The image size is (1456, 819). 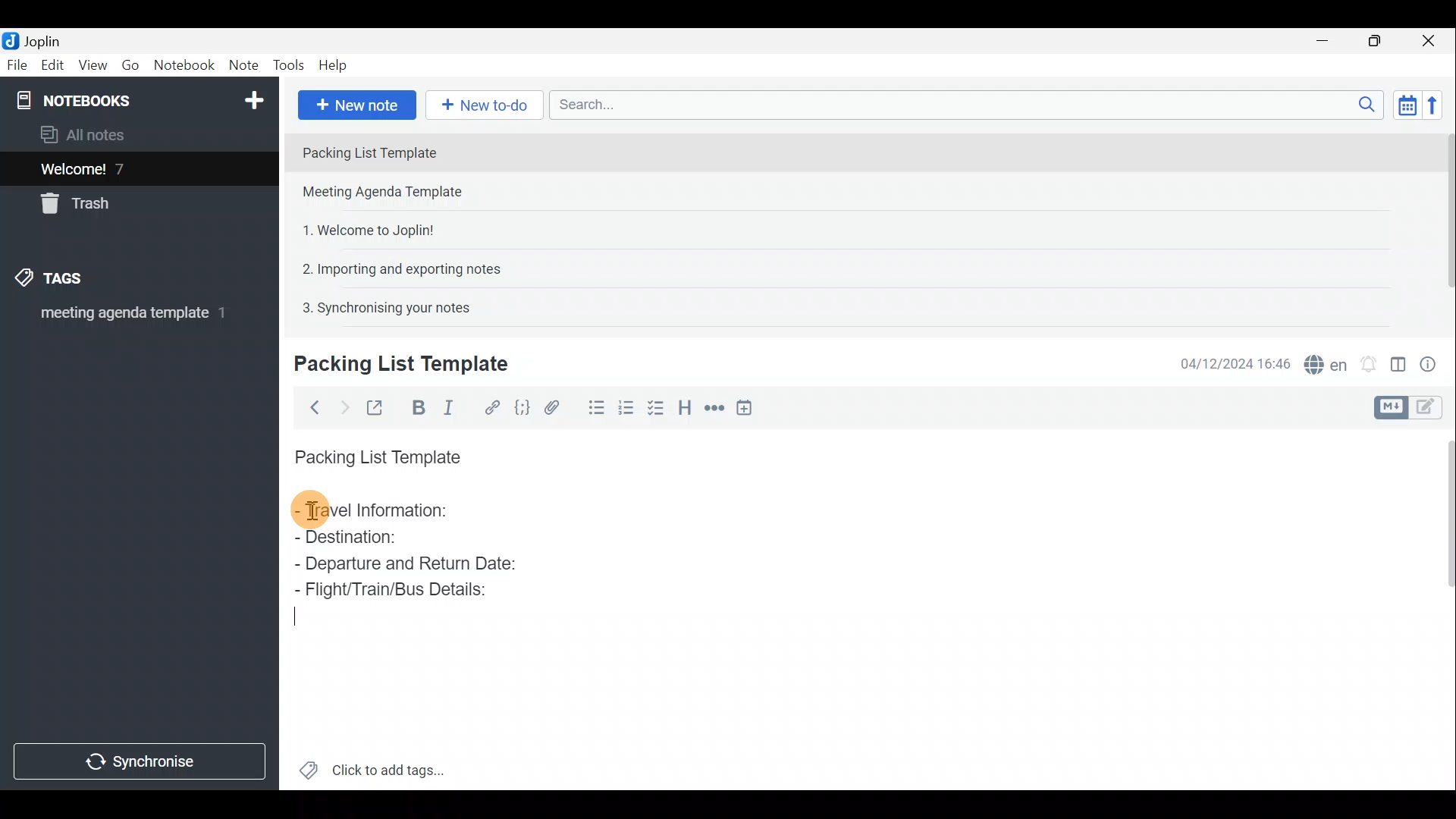 What do you see at coordinates (630, 412) in the screenshot?
I see `Numbered list` at bounding box center [630, 412].